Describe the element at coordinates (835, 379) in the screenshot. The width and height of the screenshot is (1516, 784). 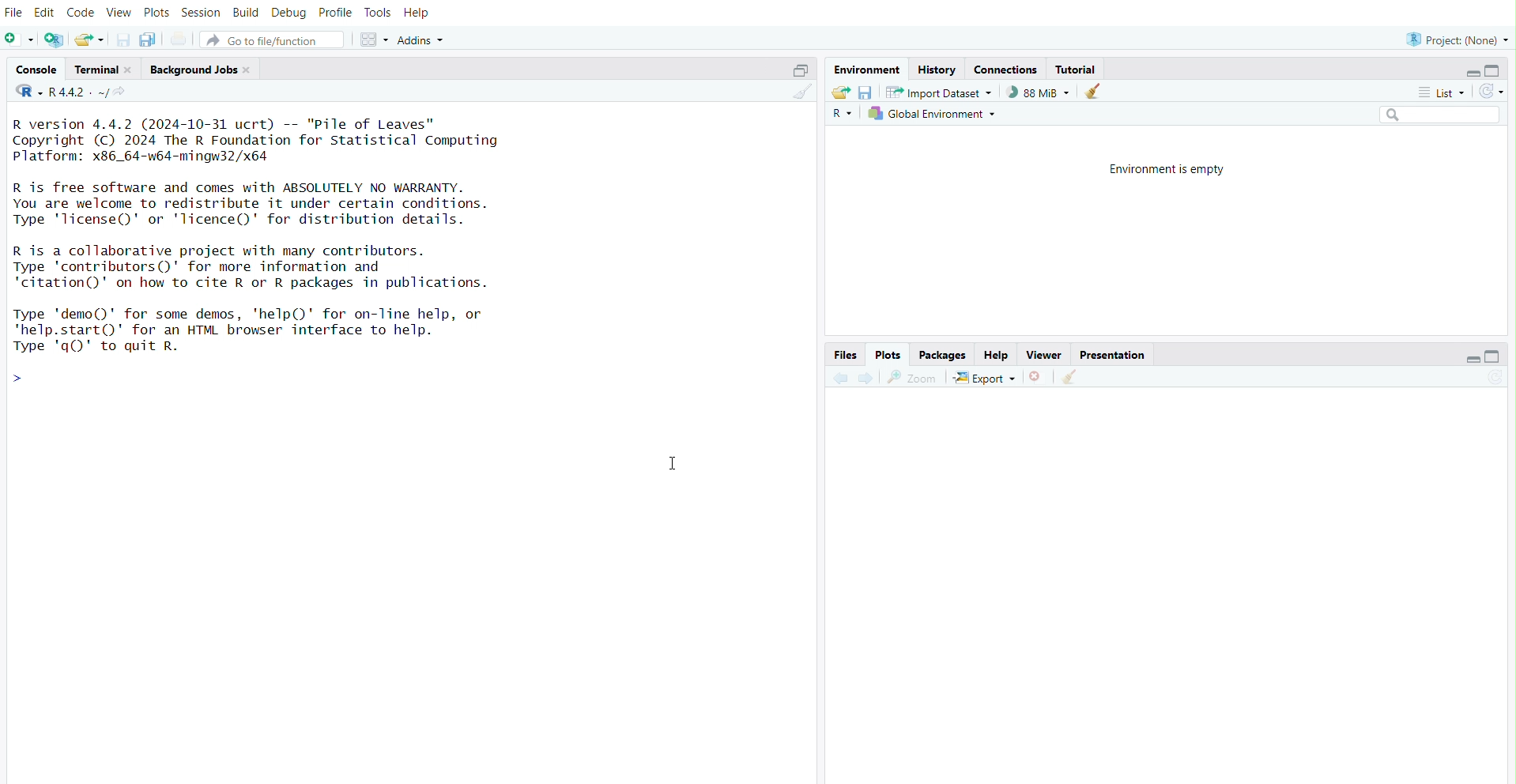
I see `previous plot` at that location.